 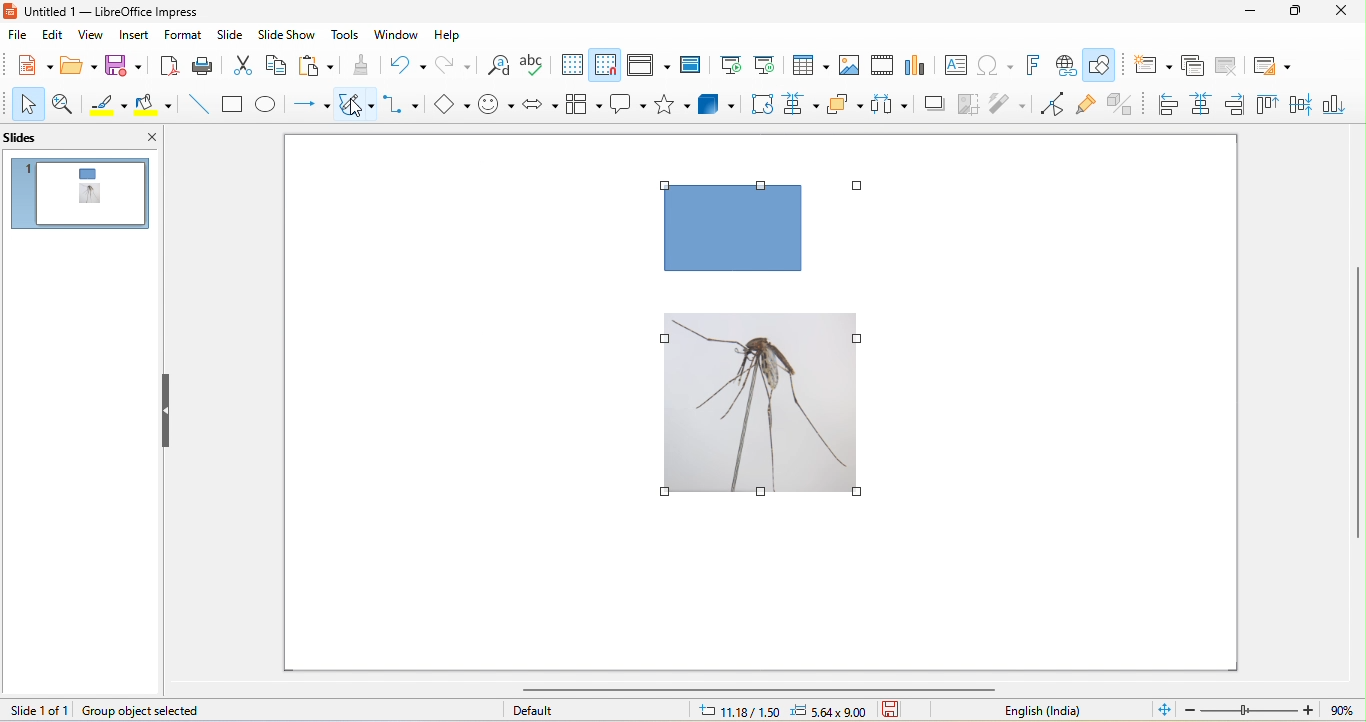 What do you see at coordinates (1276, 68) in the screenshot?
I see `slide layout` at bounding box center [1276, 68].